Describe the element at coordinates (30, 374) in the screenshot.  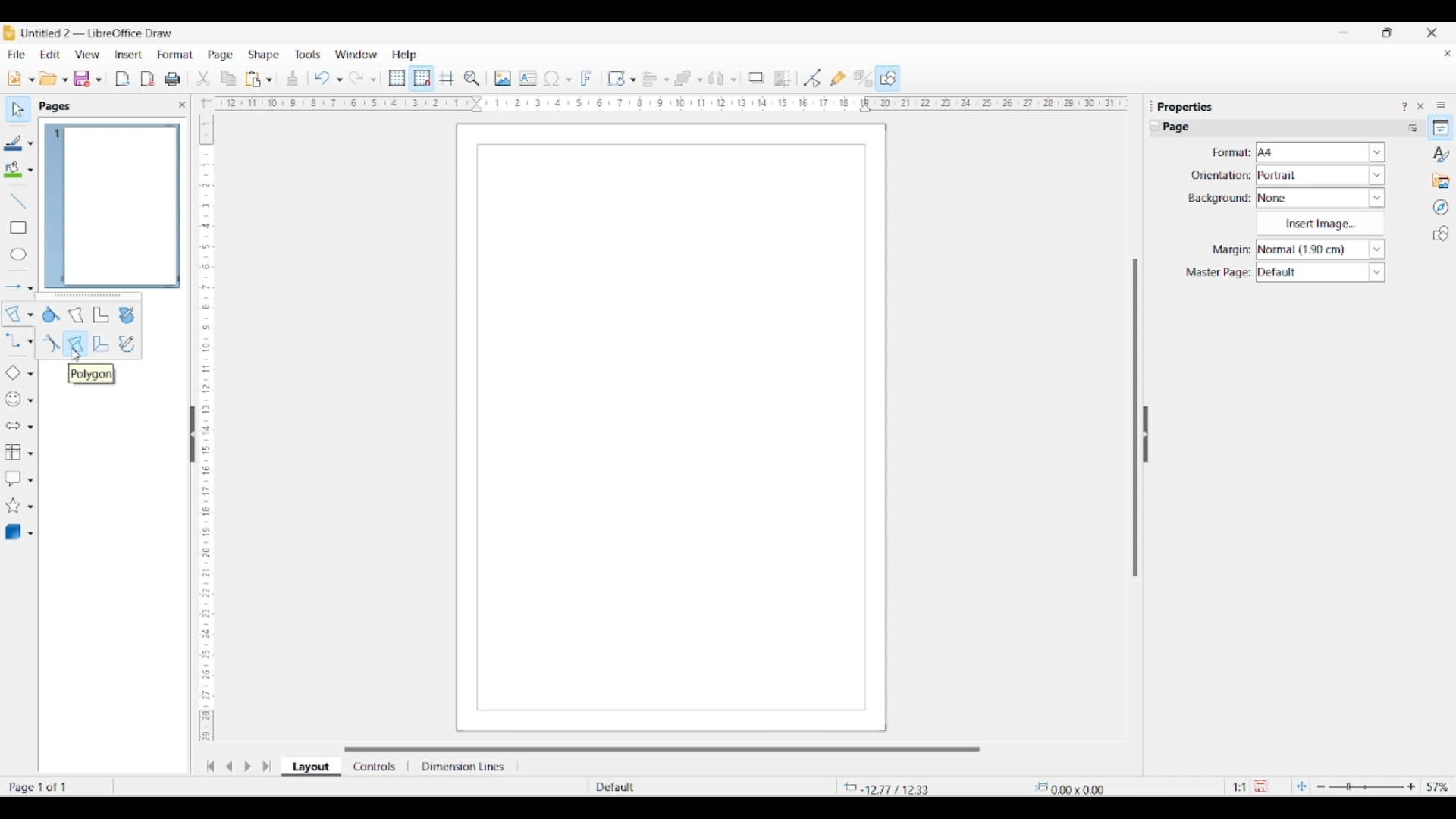
I see `Basic shape options` at that location.